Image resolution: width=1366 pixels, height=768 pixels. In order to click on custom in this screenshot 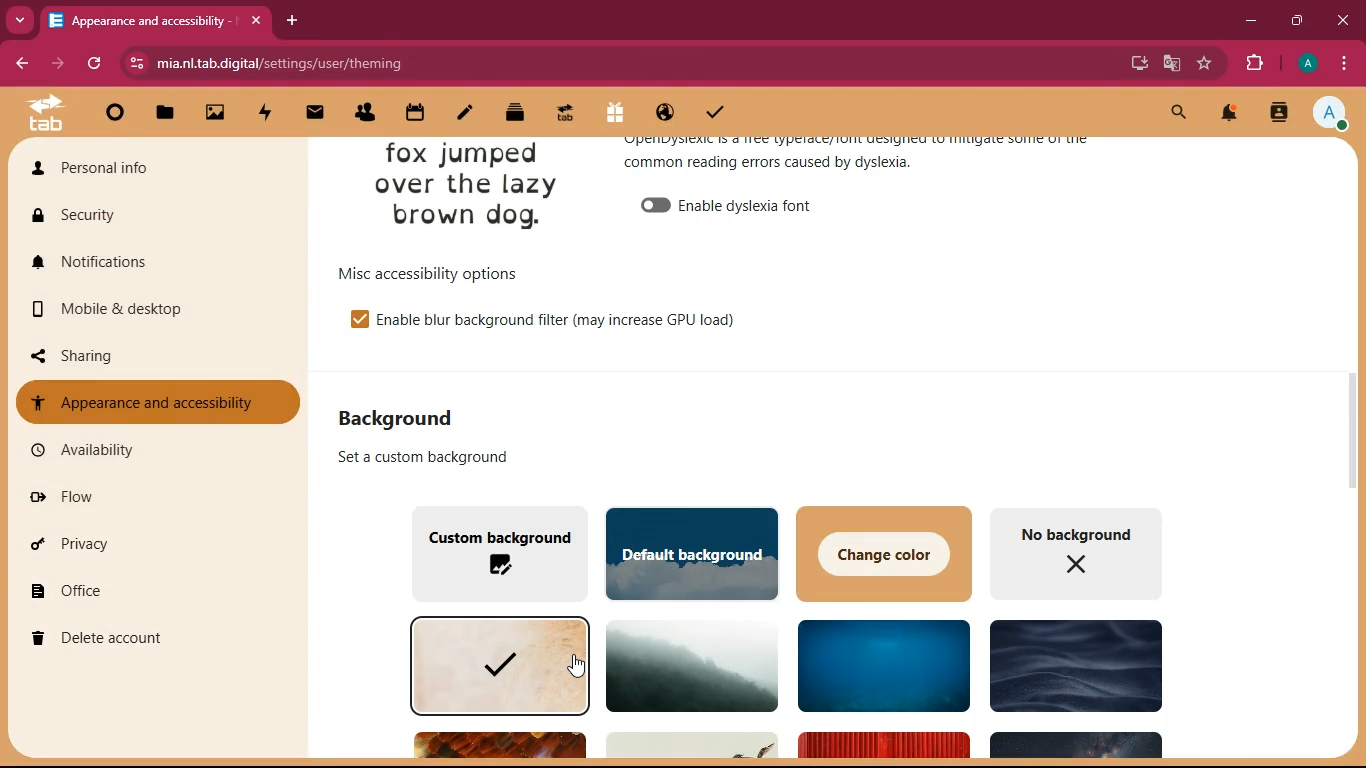, I will do `click(495, 552)`.